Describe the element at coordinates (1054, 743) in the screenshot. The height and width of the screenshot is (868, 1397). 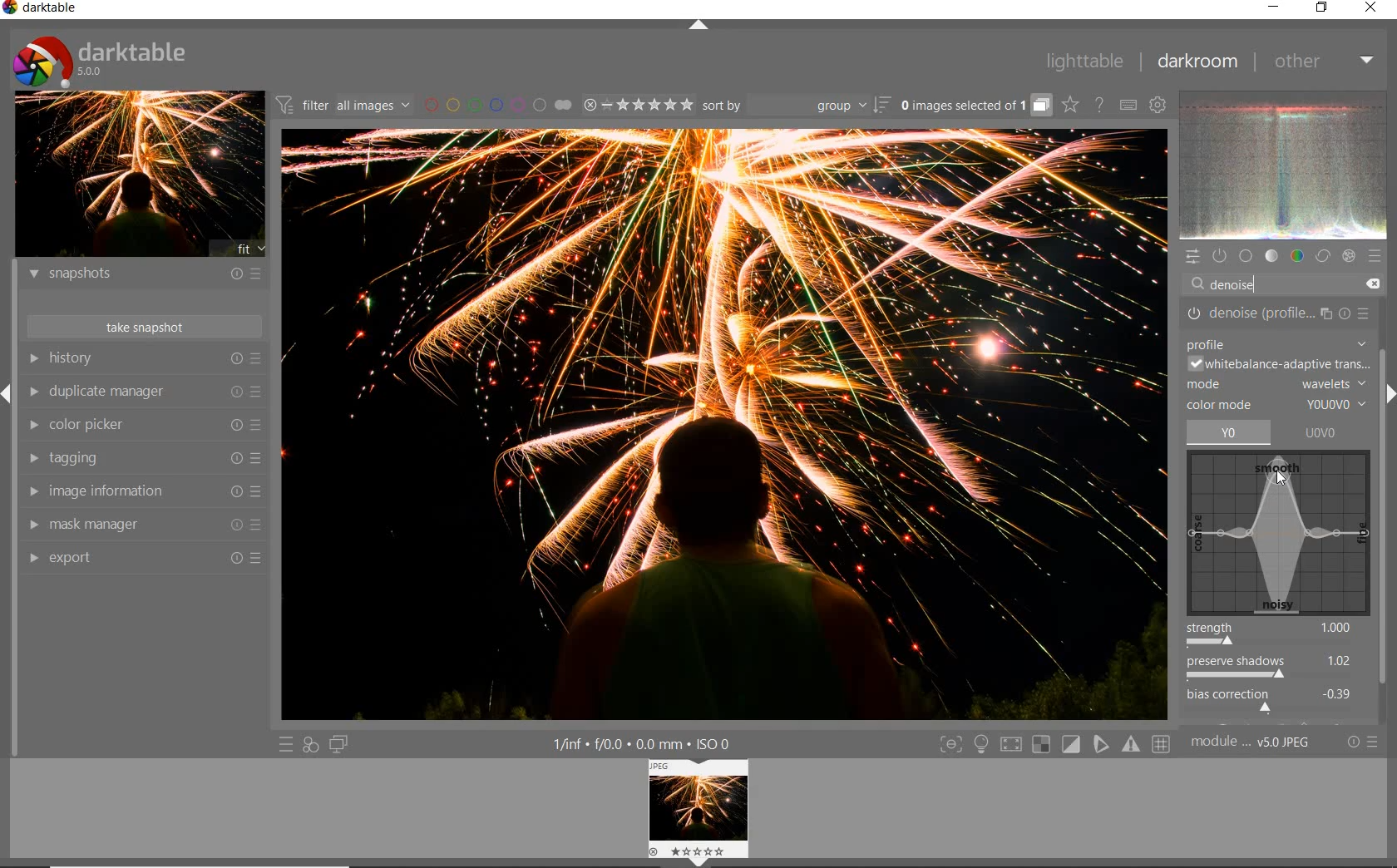
I see `Toggle modes` at that location.